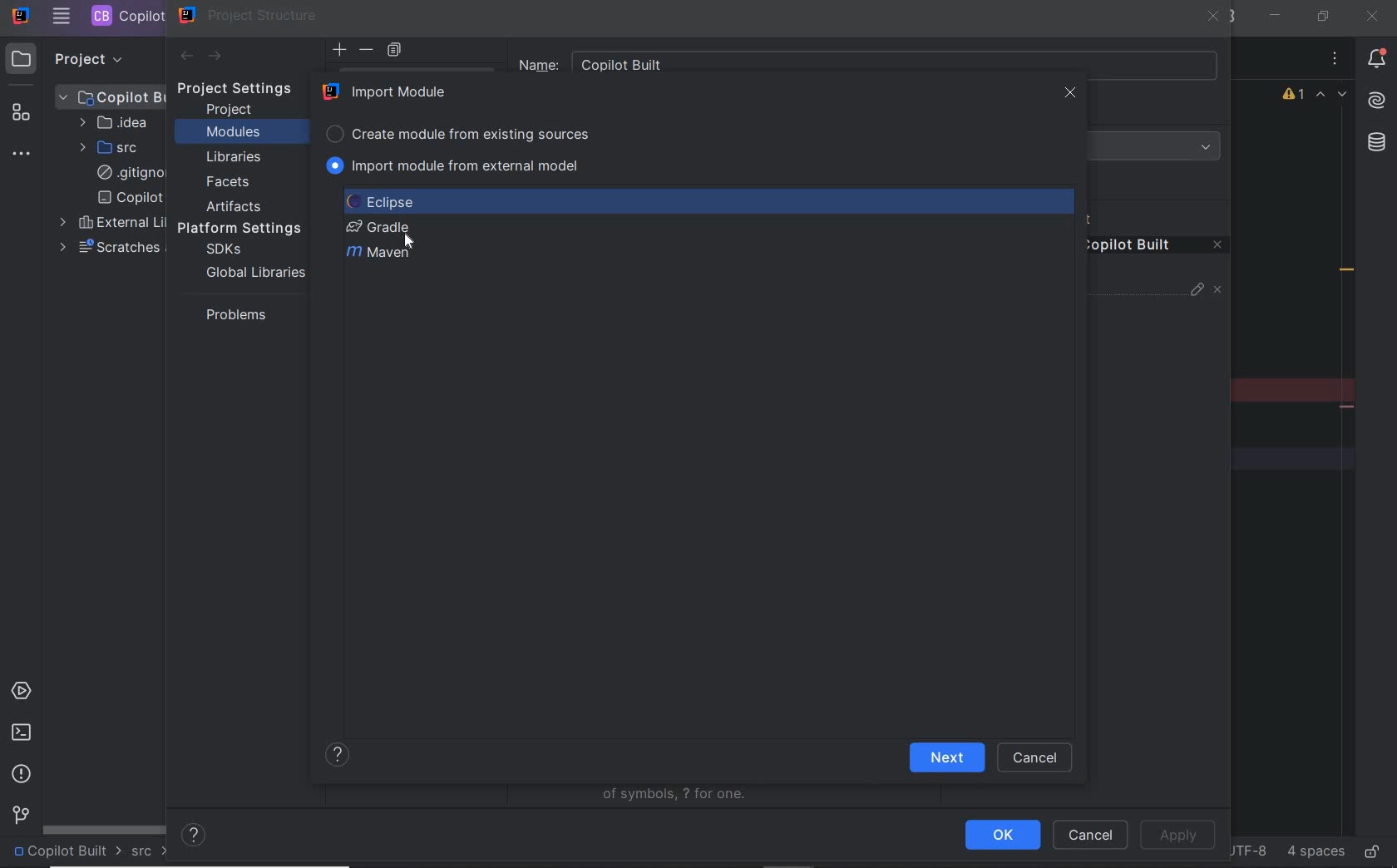 The width and height of the screenshot is (1397, 868). What do you see at coordinates (18, 816) in the screenshot?
I see `version control` at bounding box center [18, 816].